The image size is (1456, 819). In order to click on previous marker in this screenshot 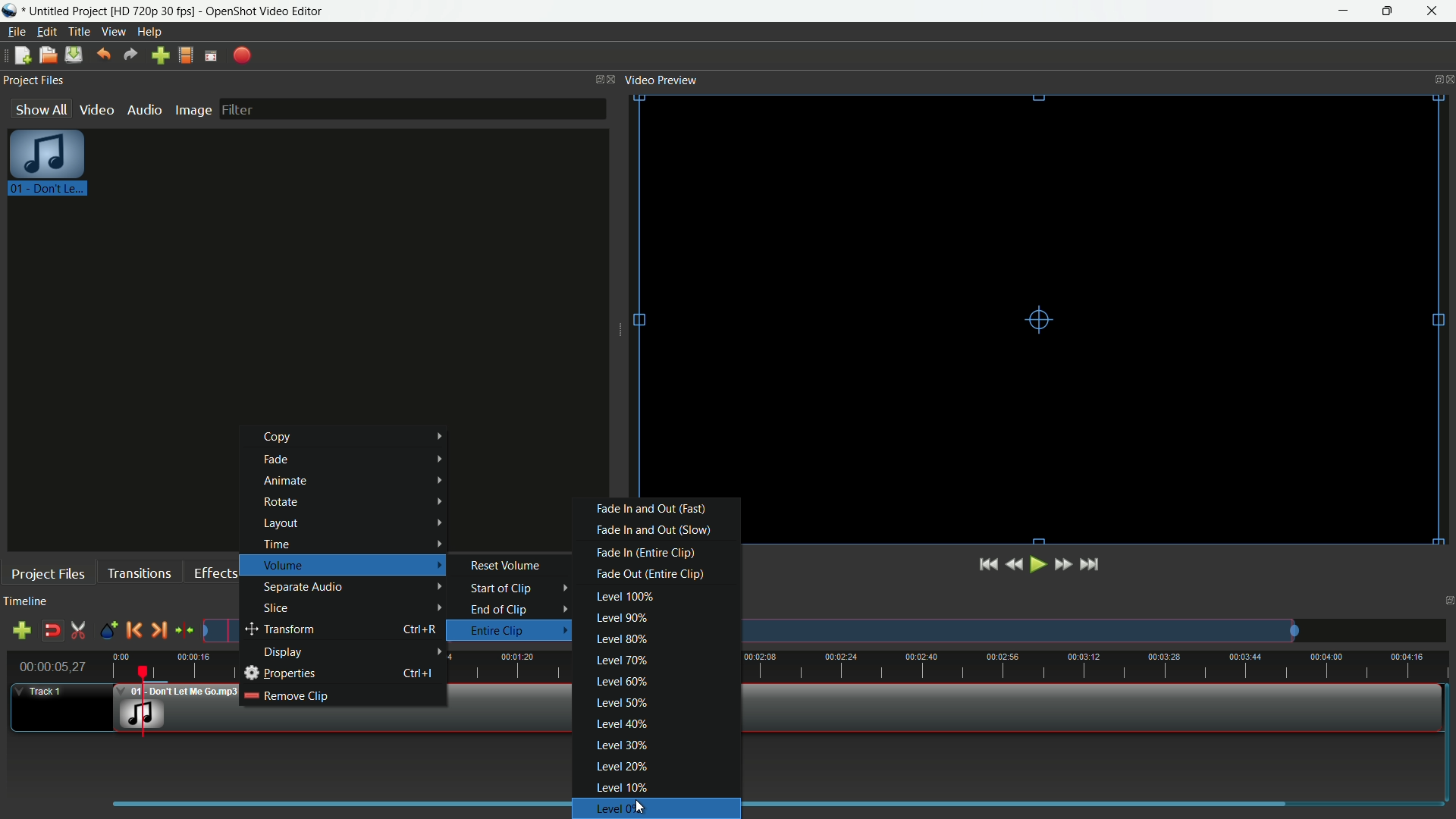, I will do `click(135, 630)`.